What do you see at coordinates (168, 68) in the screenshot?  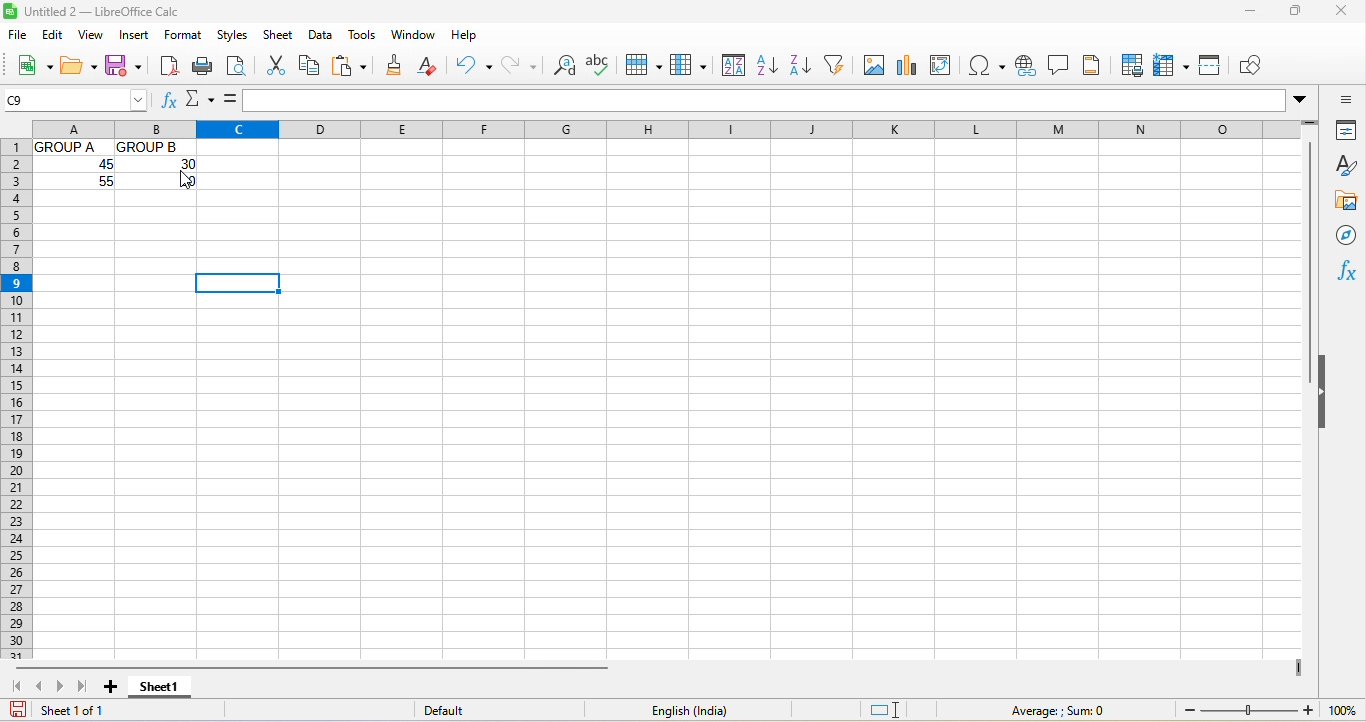 I see `export directly as pdf` at bounding box center [168, 68].